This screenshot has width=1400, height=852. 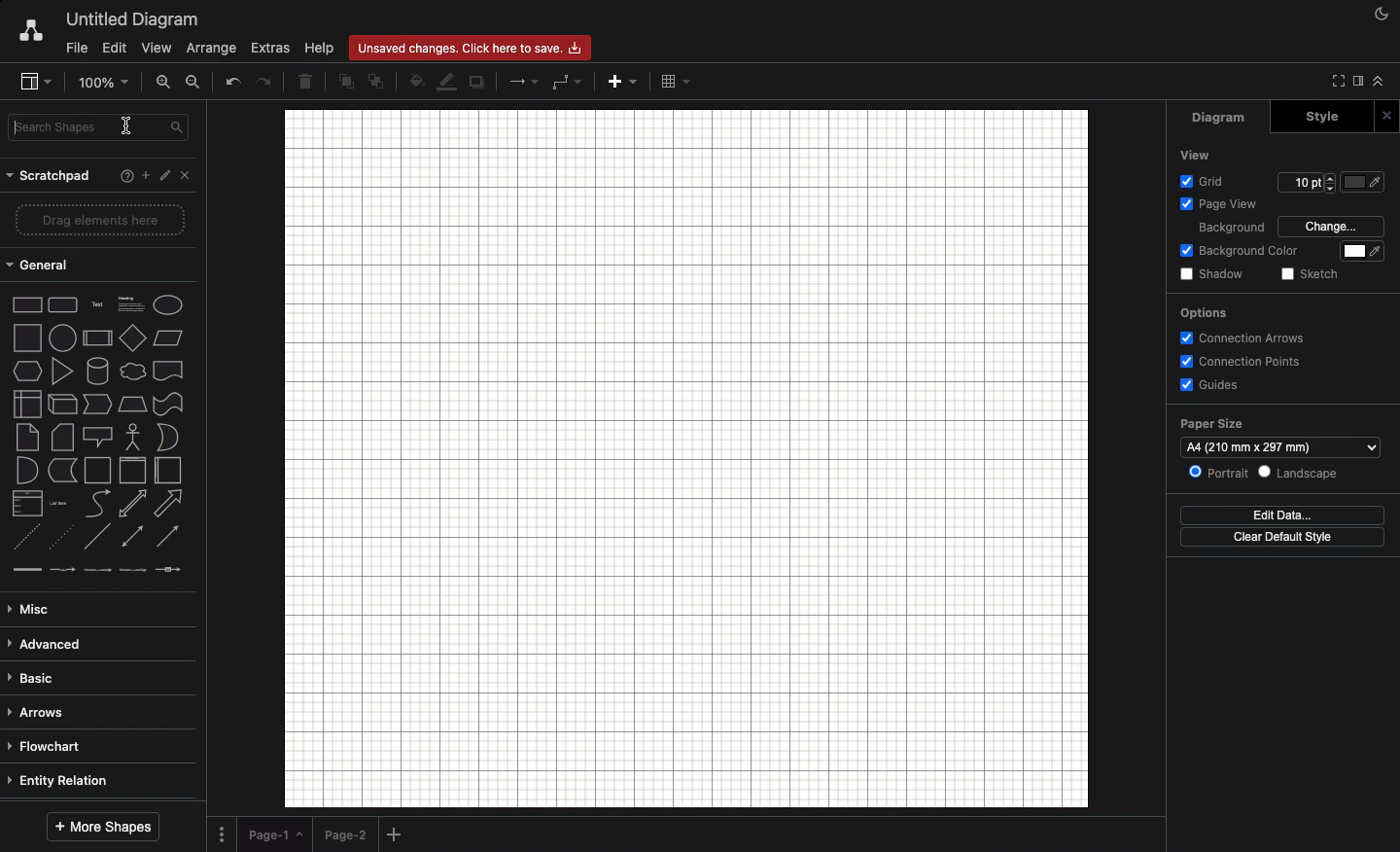 I want to click on , so click(x=97, y=340).